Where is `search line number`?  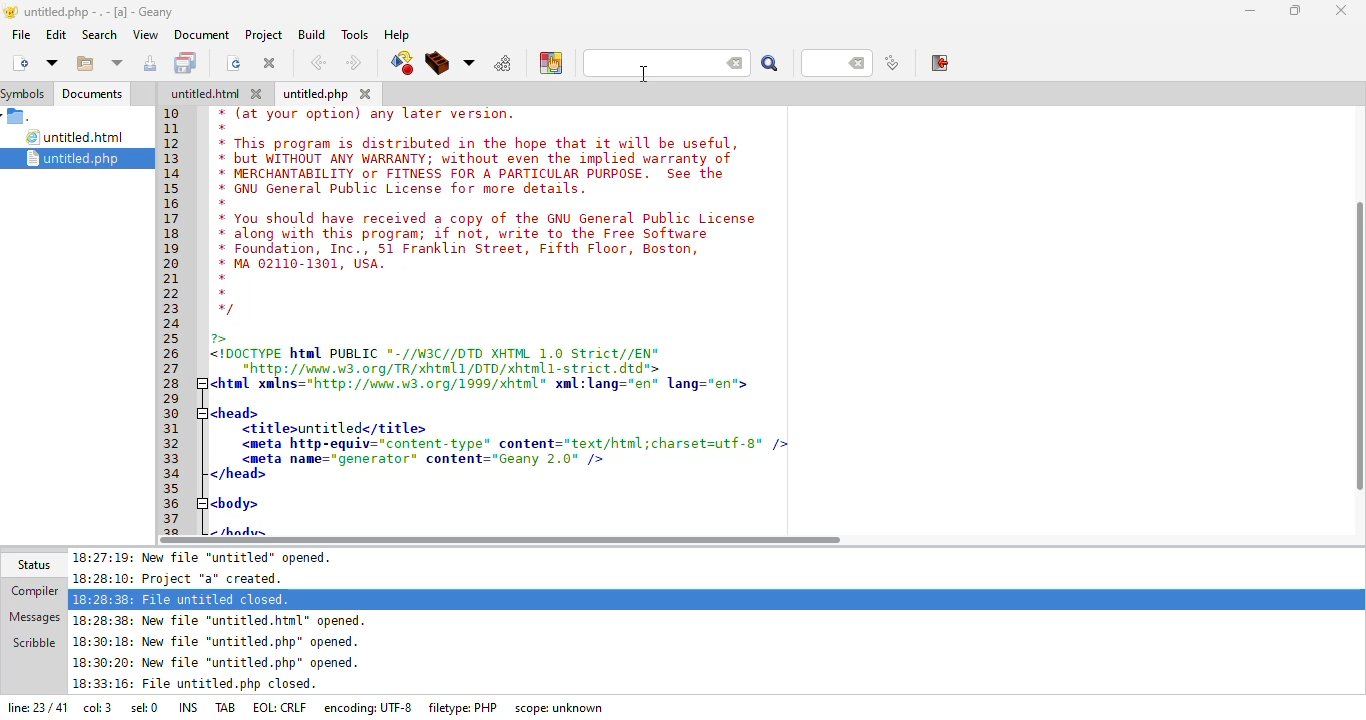 search line number is located at coordinates (836, 62).